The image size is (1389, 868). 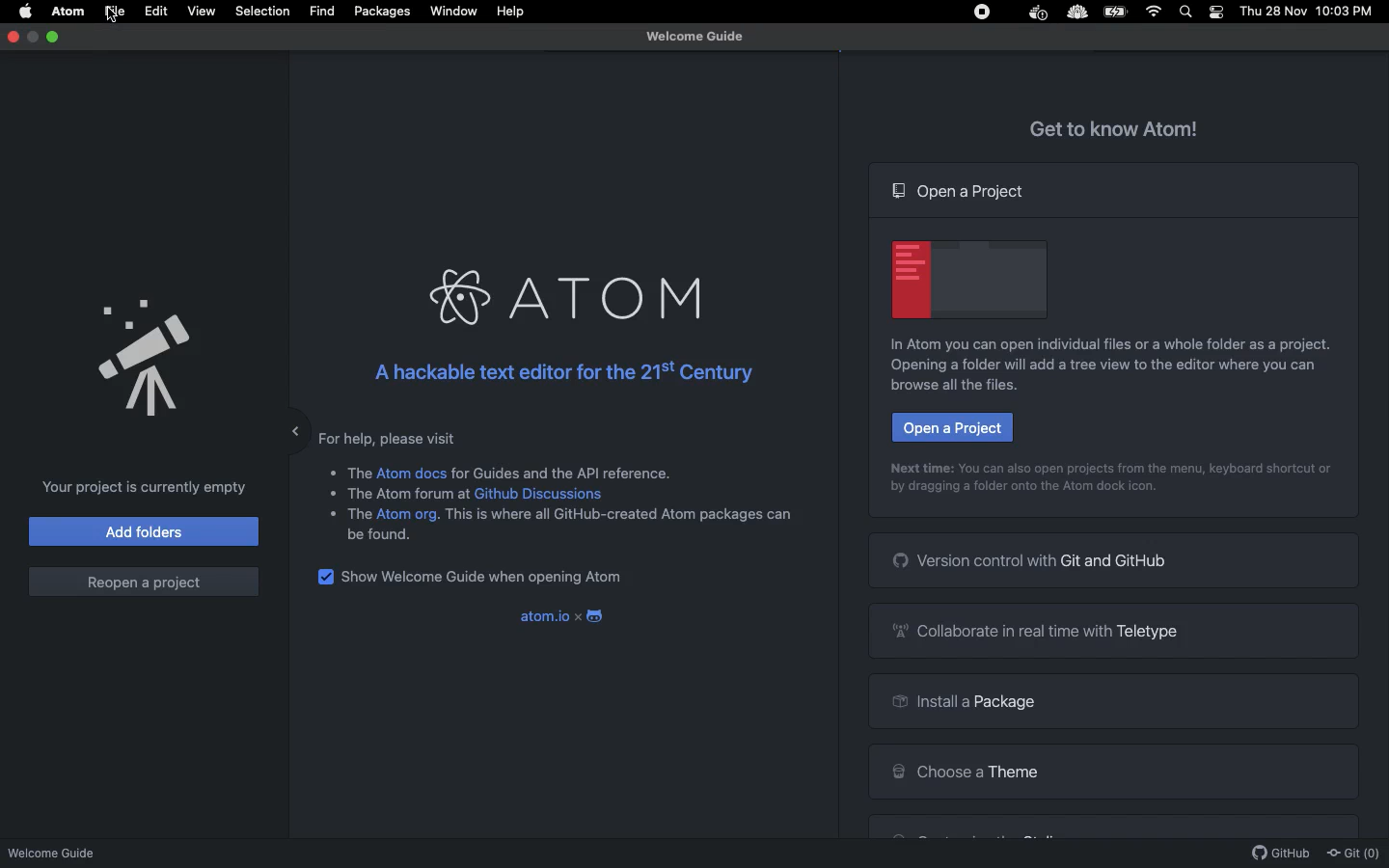 I want to click on Instructional text, so click(x=1096, y=375).